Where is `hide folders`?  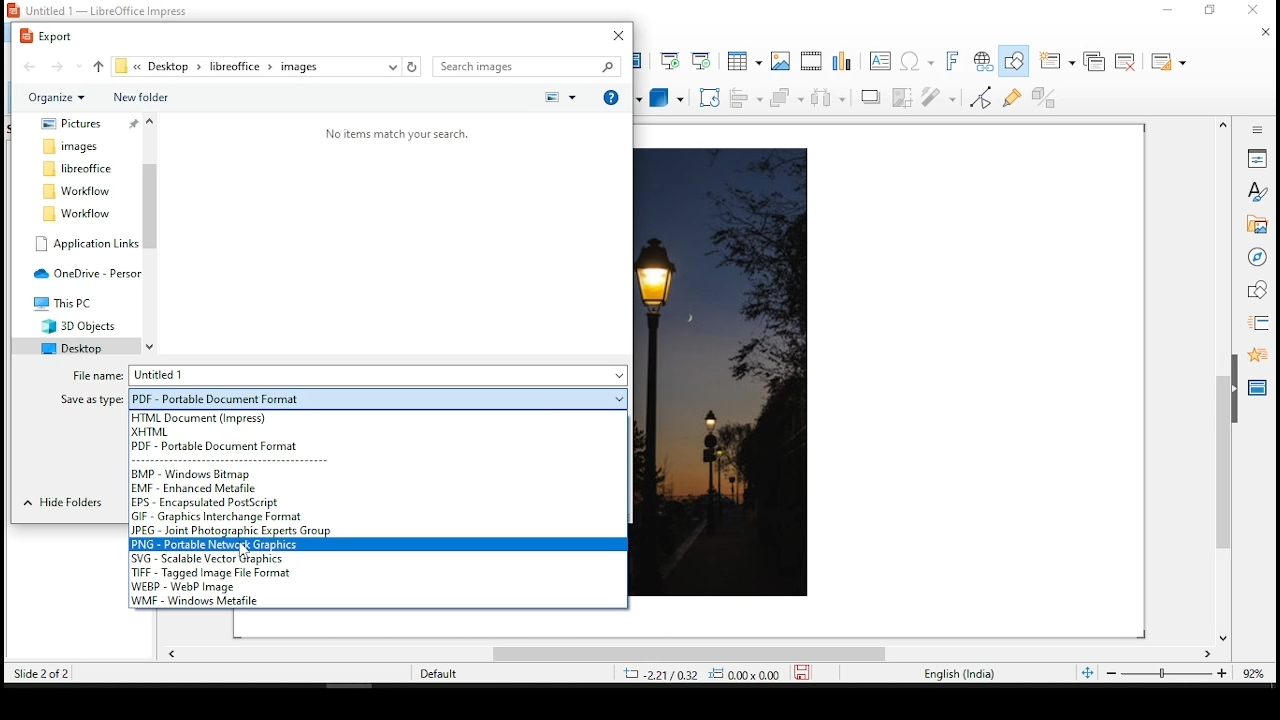
hide folders is located at coordinates (63, 503).